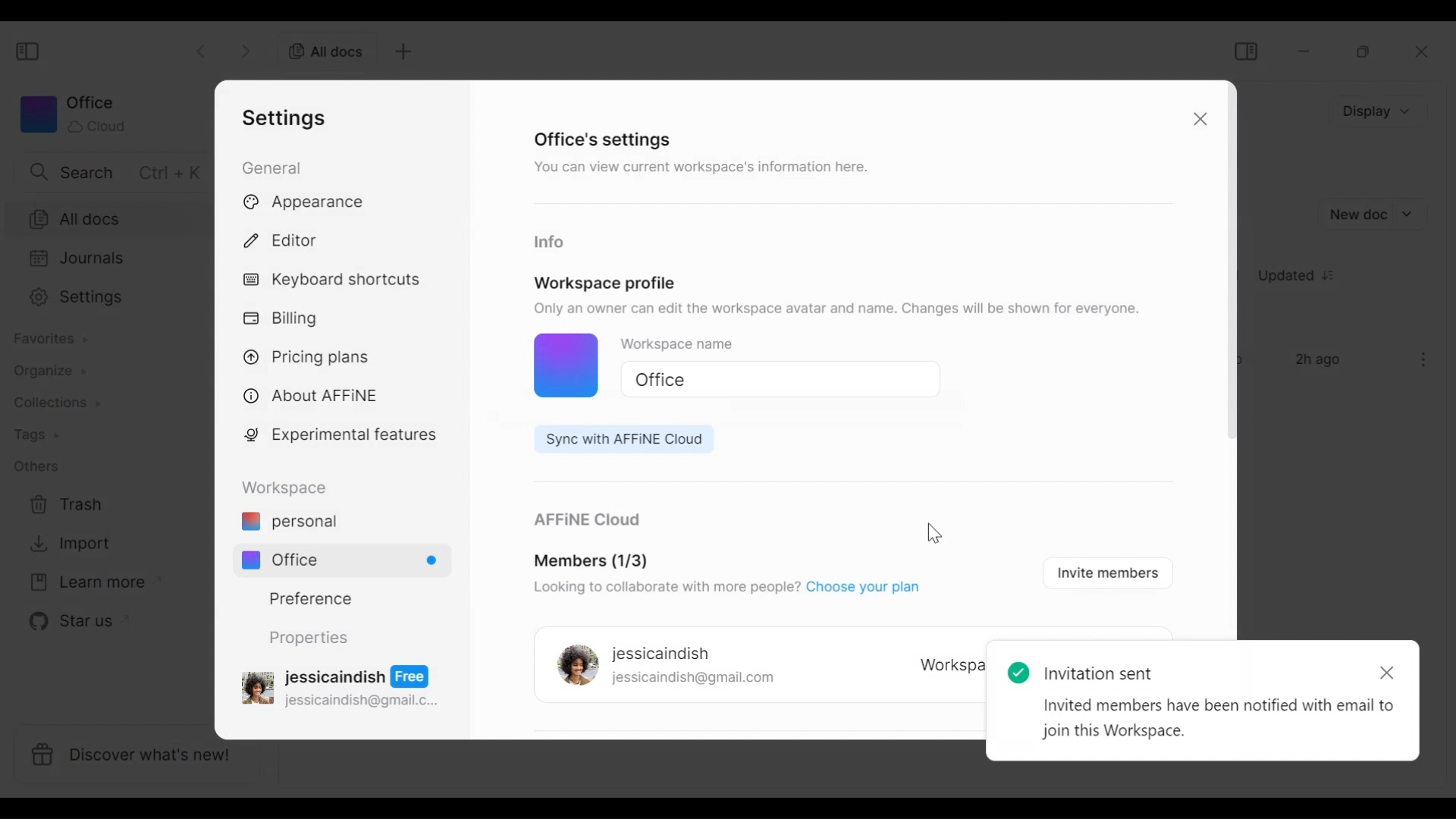 This screenshot has height=819, width=1456. I want to click on Workspace icon, so click(72, 114).